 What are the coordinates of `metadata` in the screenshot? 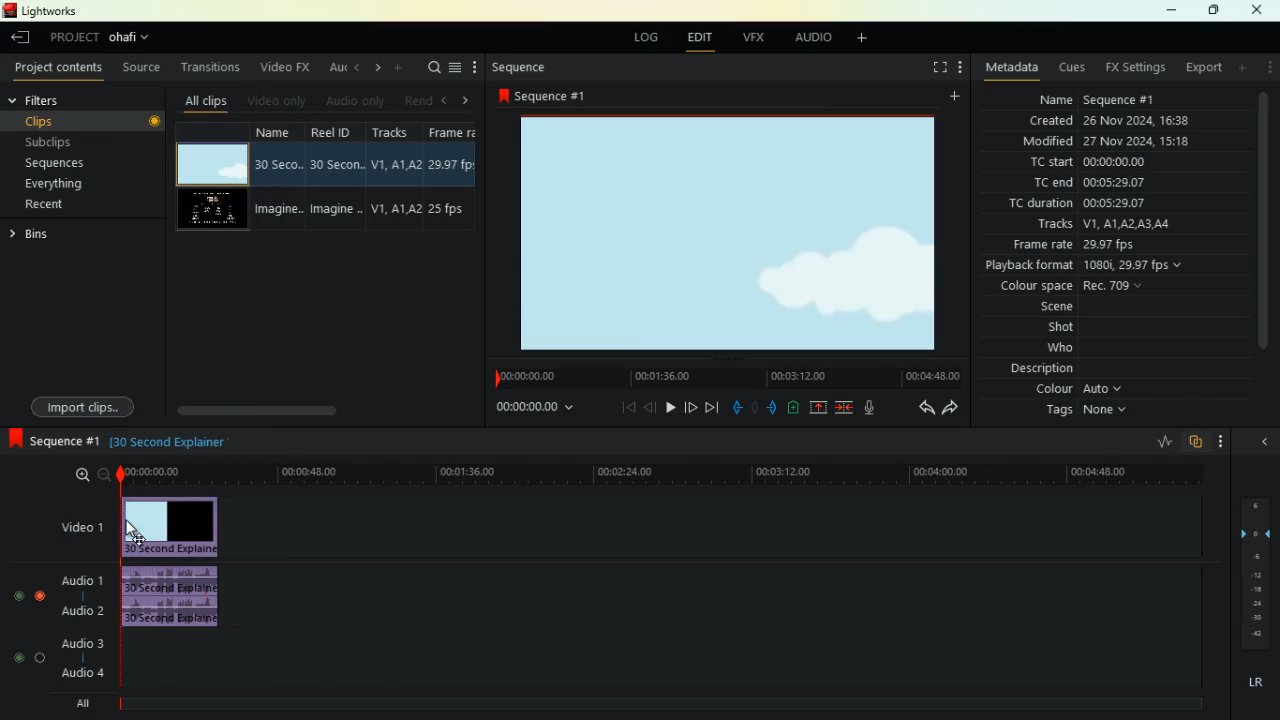 It's located at (1012, 66).